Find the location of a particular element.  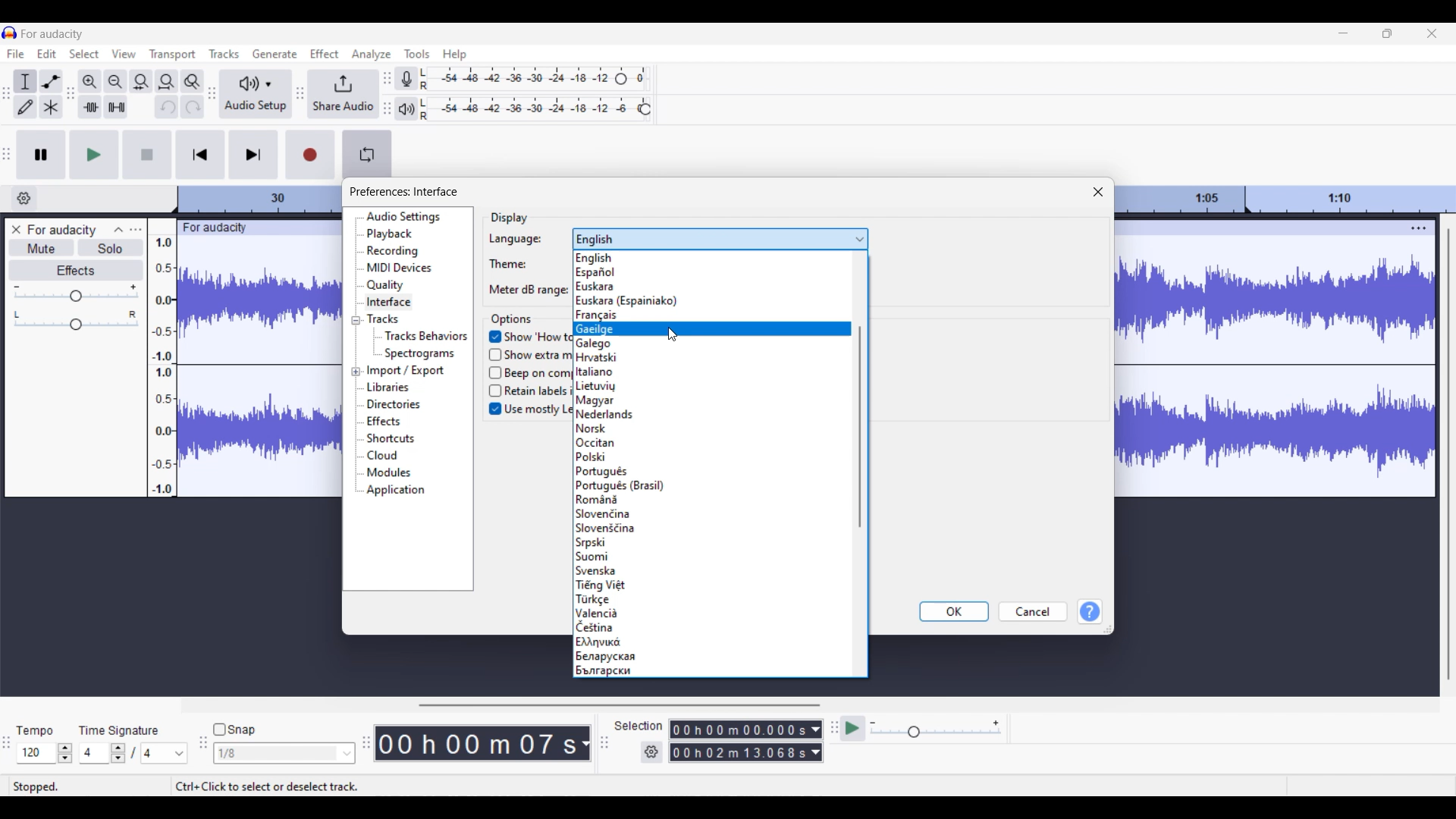

ctrl+click to select or deselect track. is located at coordinates (271, 781).